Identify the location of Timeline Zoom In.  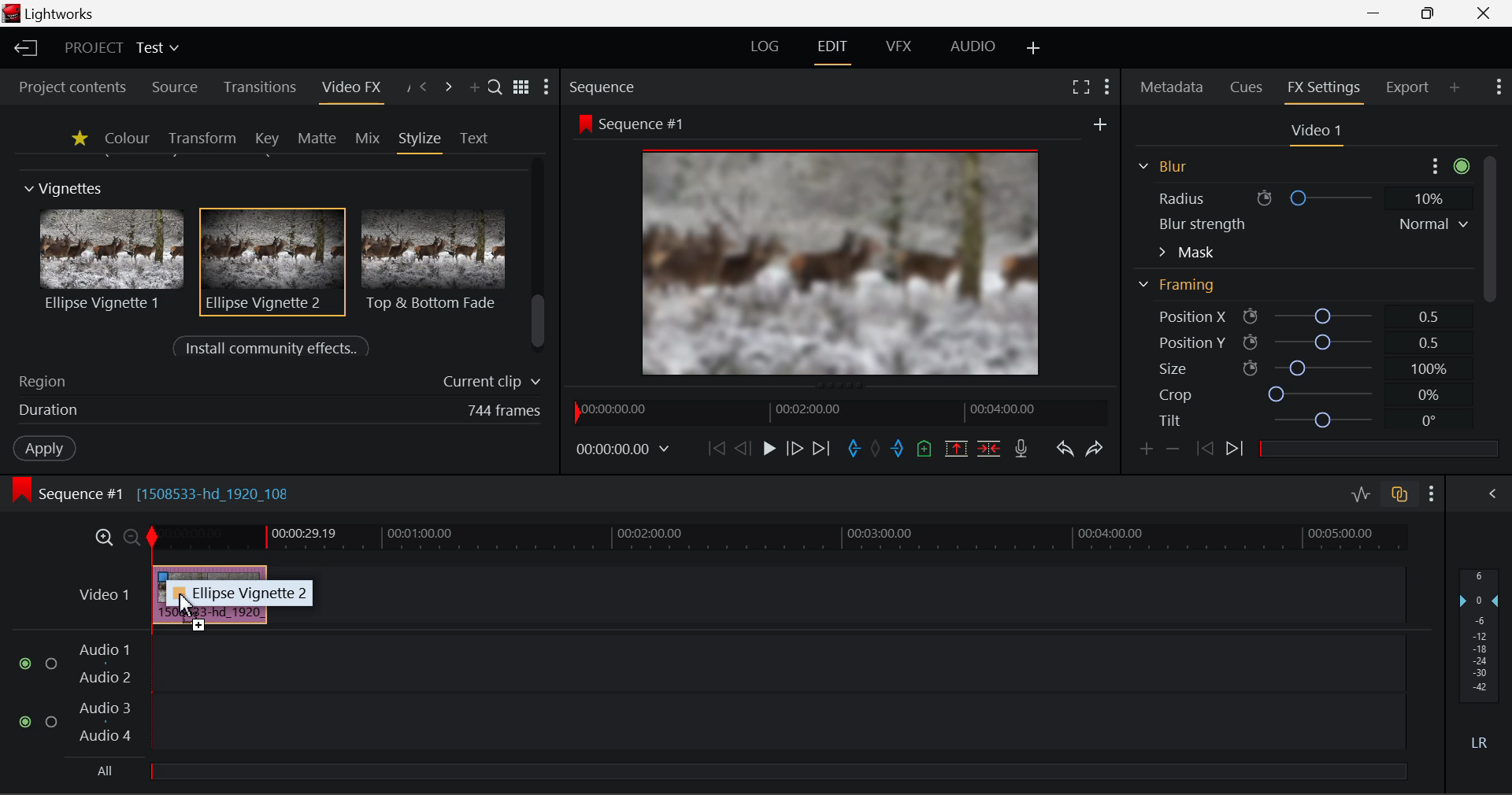
(103, 538).